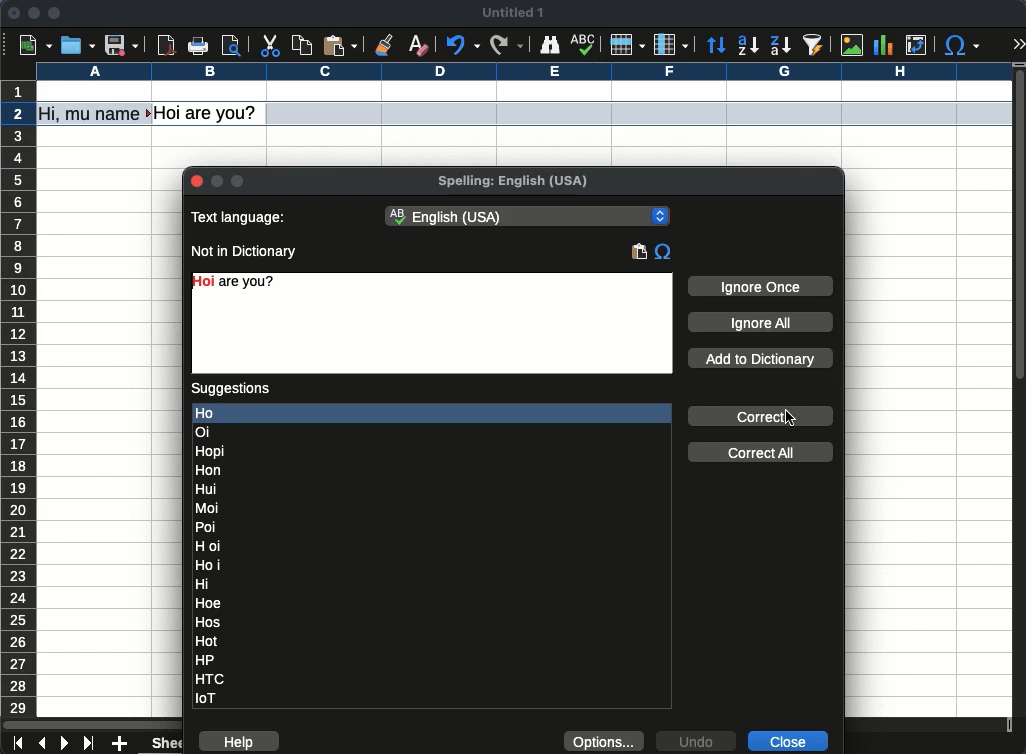 The height and width of the screenshot is (754, 1026). Describe the element at coordinates (962, 46) in the screenshot. I see `special character` at that location.